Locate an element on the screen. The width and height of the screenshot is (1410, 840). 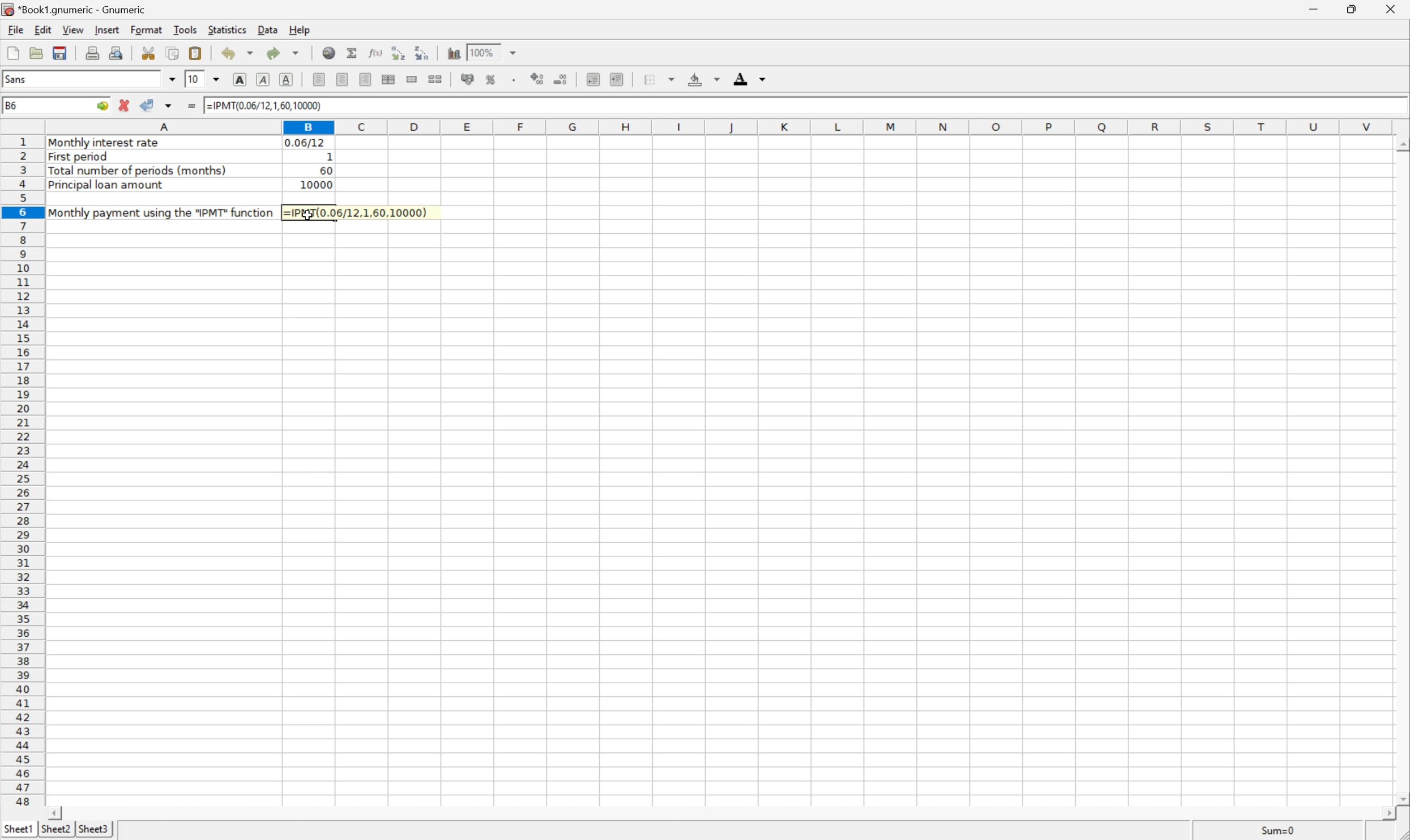
=IPMT(0.06/12,1,60,10000) is located at coordinates (358, 212).